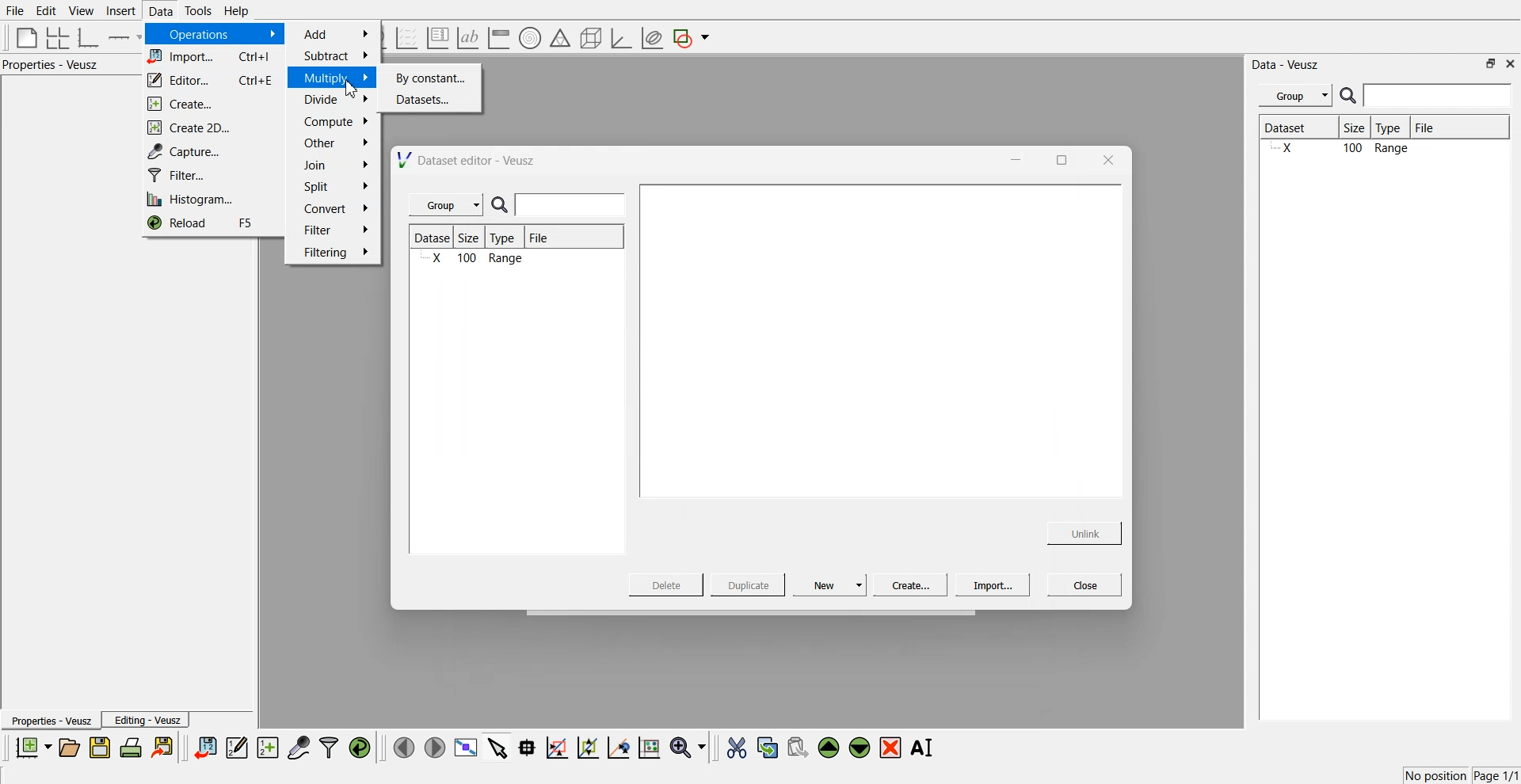 The height and width of the screenshot is (784, 1521). What do you see at coordinates (204, 748) in the screenshot?
I see `import data sets` at bounding box center [204, 748].